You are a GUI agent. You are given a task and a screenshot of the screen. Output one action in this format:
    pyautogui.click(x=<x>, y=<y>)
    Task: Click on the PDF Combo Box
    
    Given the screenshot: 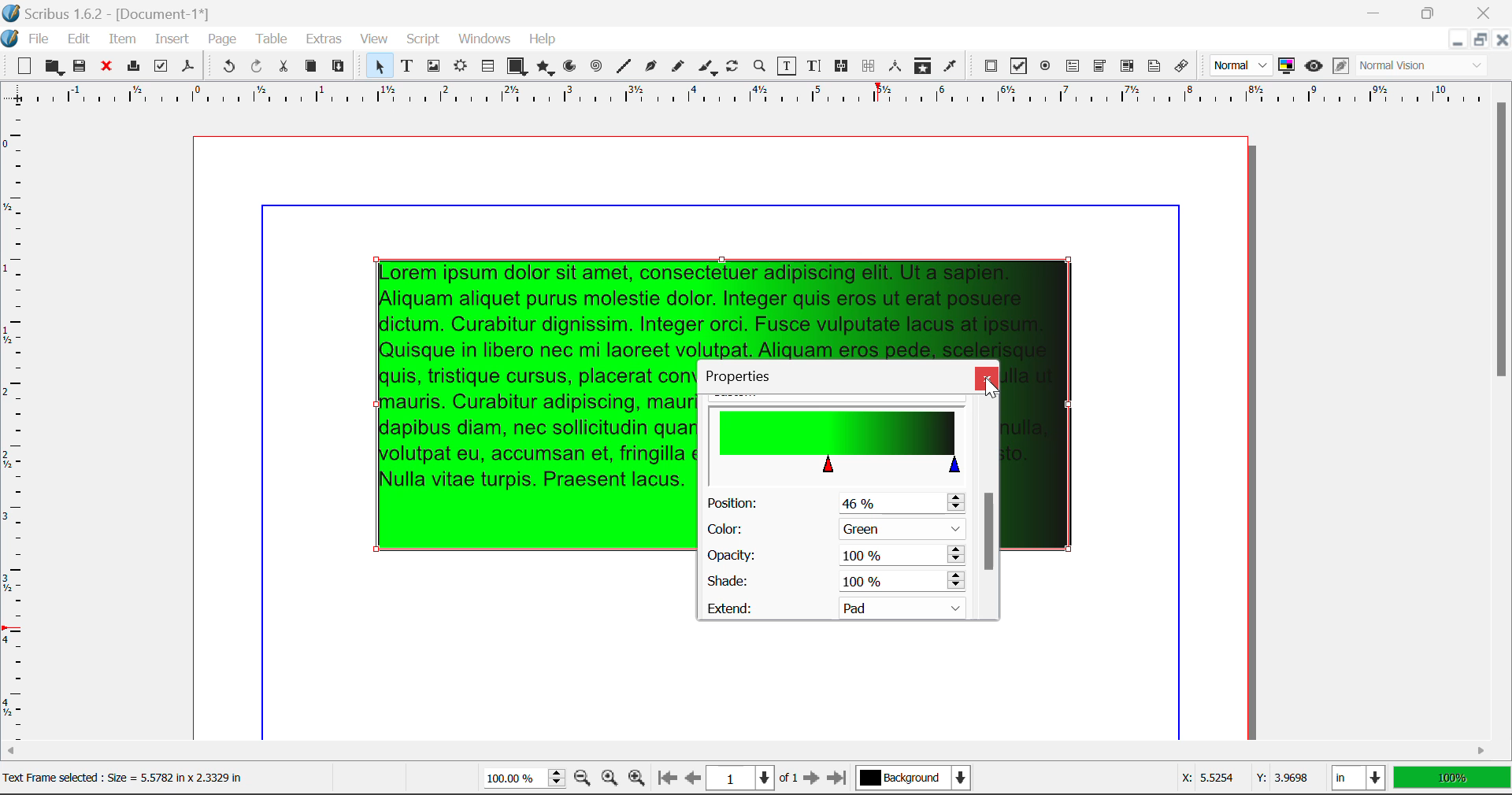 What is the action you would take?
    pyautogui.click(x=1099, y=68)
    